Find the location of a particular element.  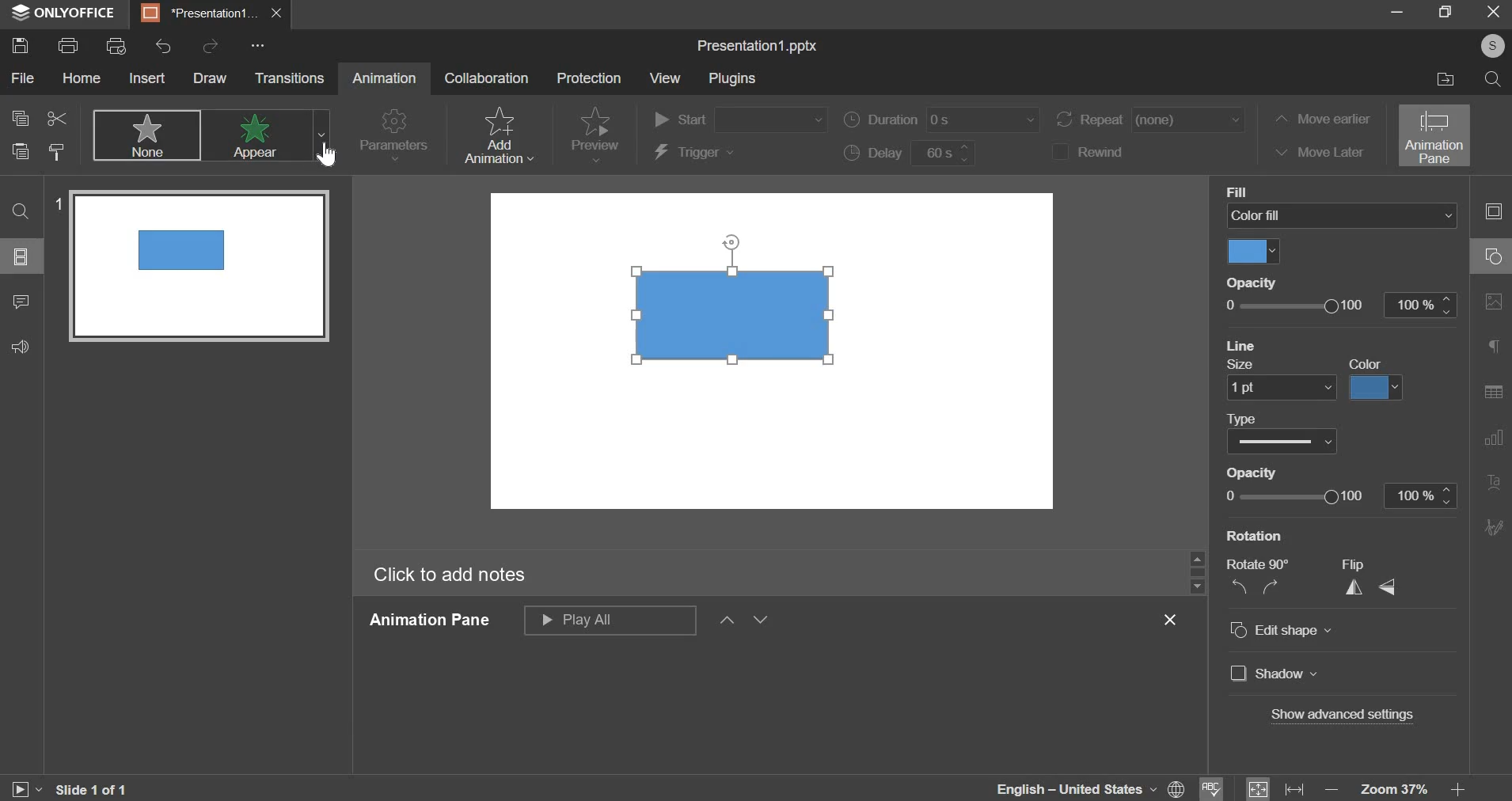

flip vertically is located at coordinates (1392, 585).